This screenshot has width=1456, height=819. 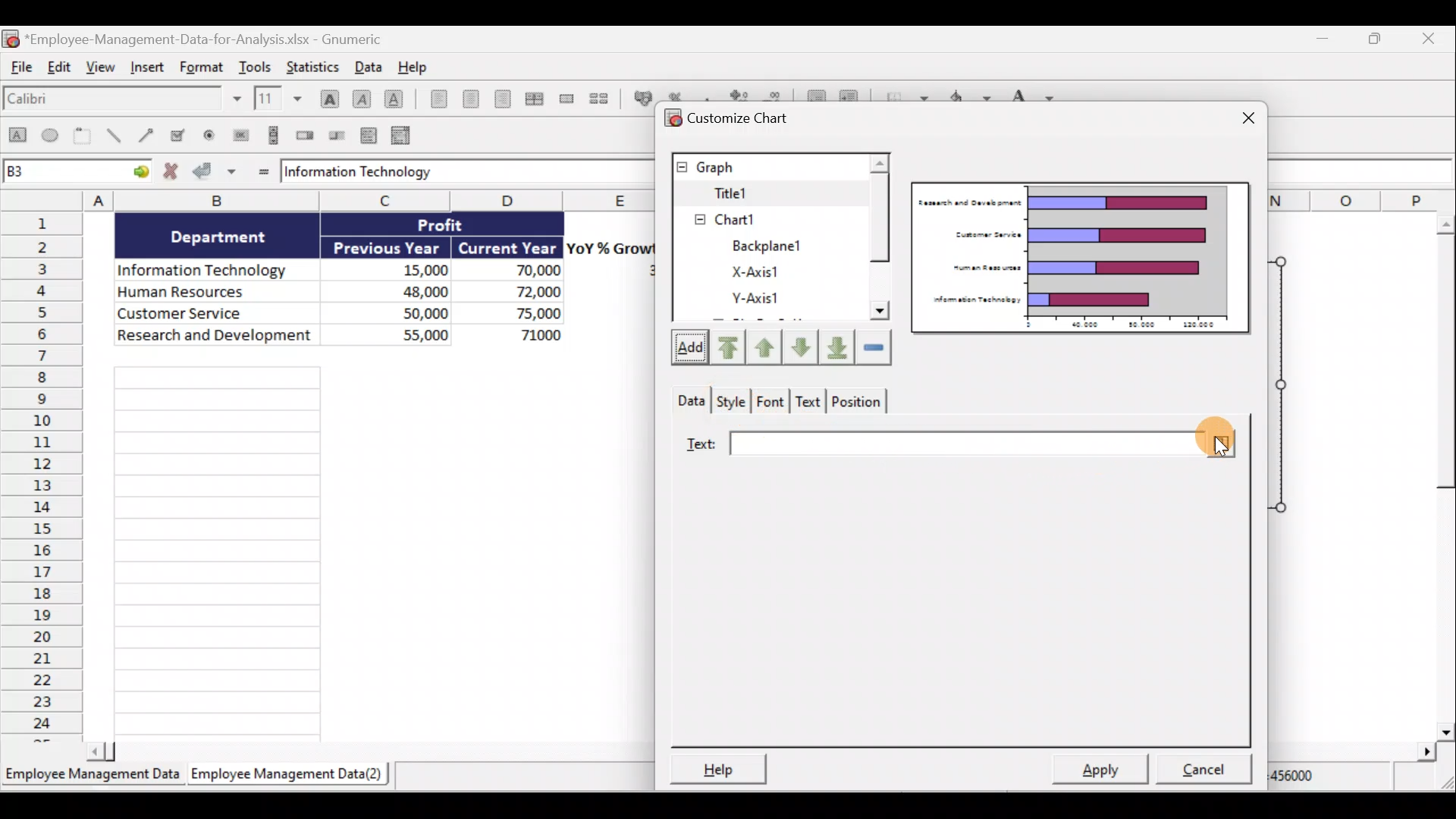 I want to click on Cursor, so click(x=1222, y=447).